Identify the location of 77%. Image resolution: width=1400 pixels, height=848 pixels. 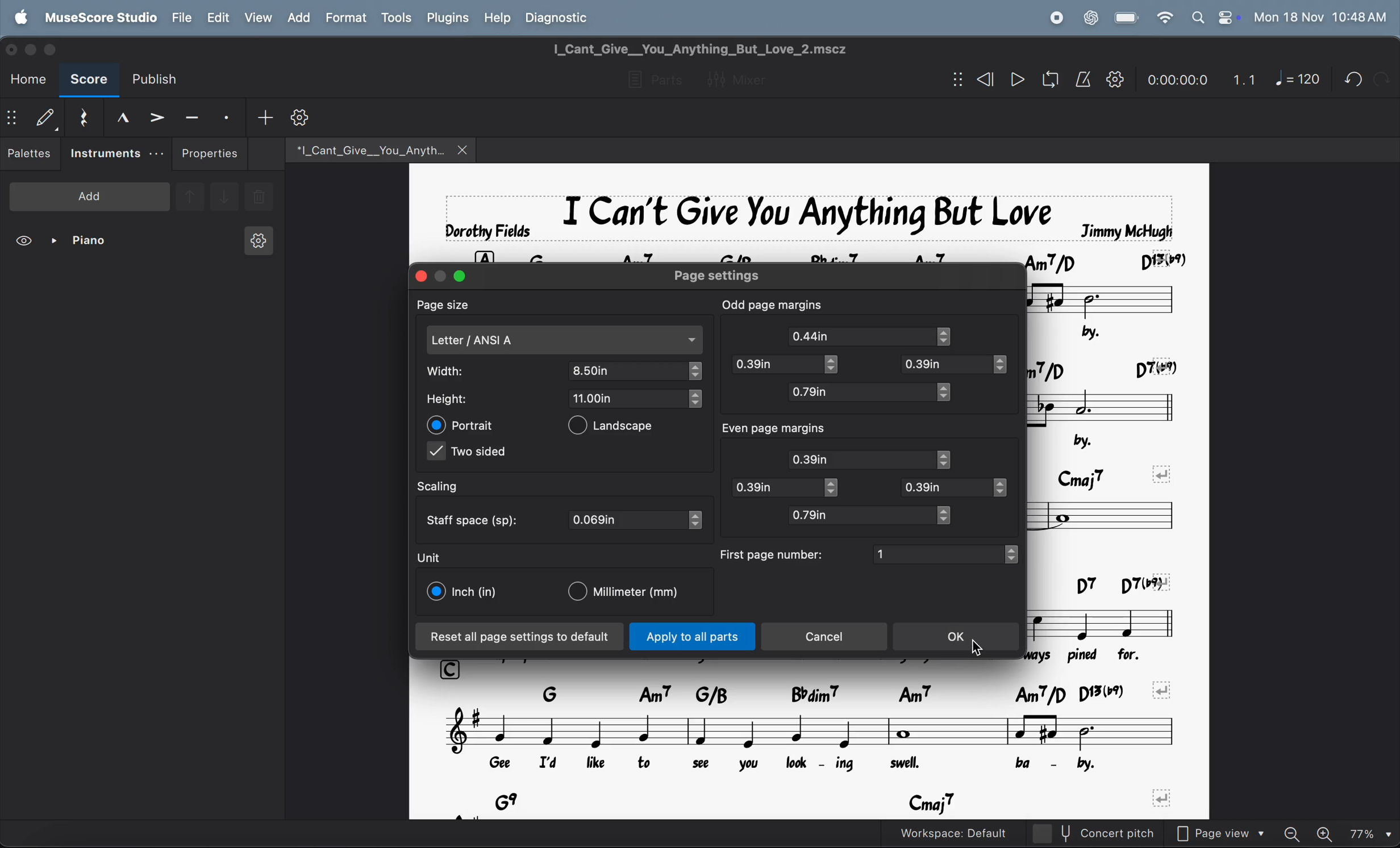
(1370, 832).